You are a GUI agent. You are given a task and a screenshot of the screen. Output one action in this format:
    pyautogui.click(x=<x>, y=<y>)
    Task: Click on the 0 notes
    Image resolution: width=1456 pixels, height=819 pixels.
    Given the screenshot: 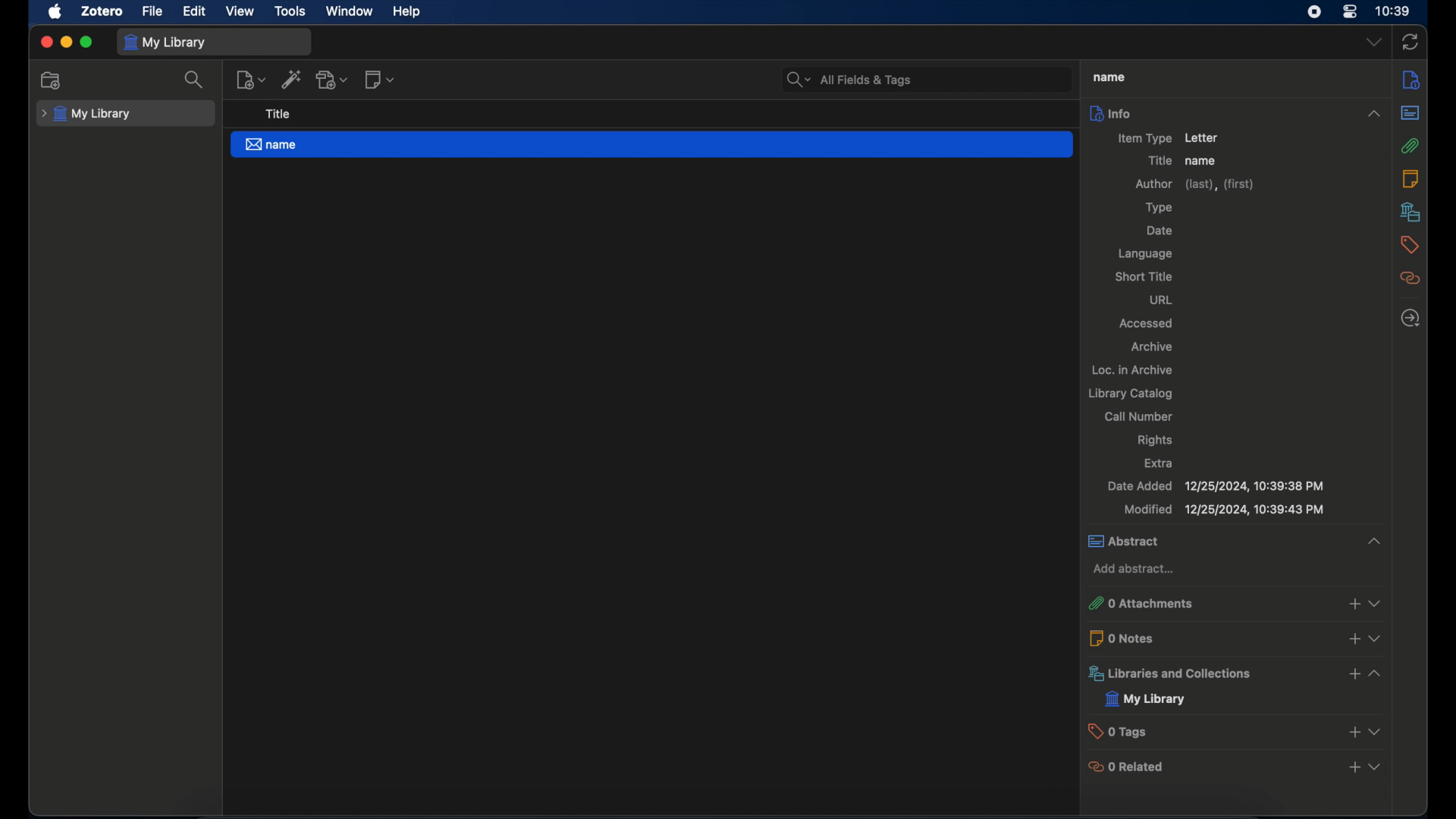 What is the action you would take?
    pyautogui.click(x=1128, y=639)
    